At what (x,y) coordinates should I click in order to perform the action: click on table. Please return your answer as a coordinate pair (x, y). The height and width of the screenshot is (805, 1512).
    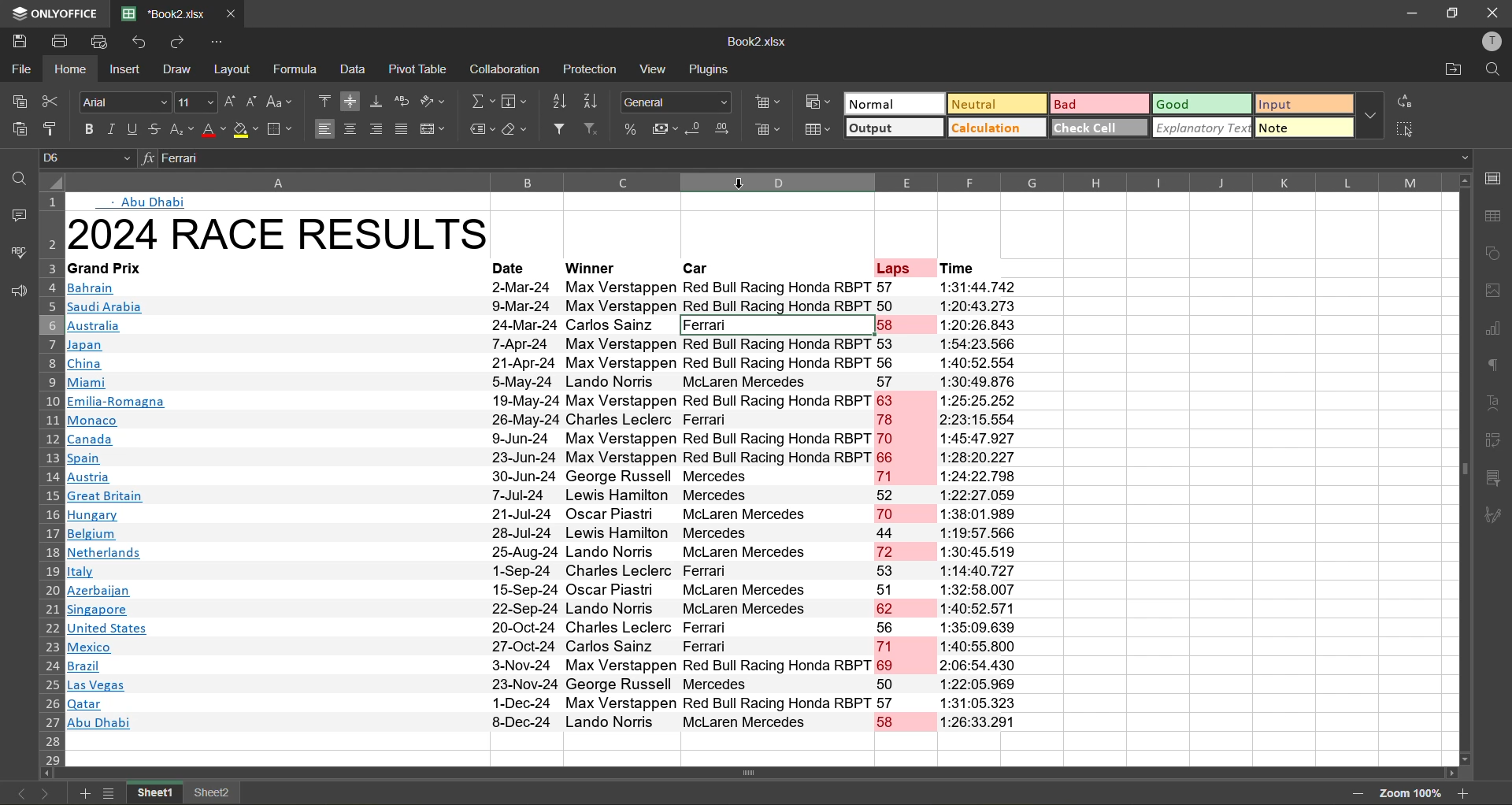
    Looking at the image, I should click on (1499, 216).